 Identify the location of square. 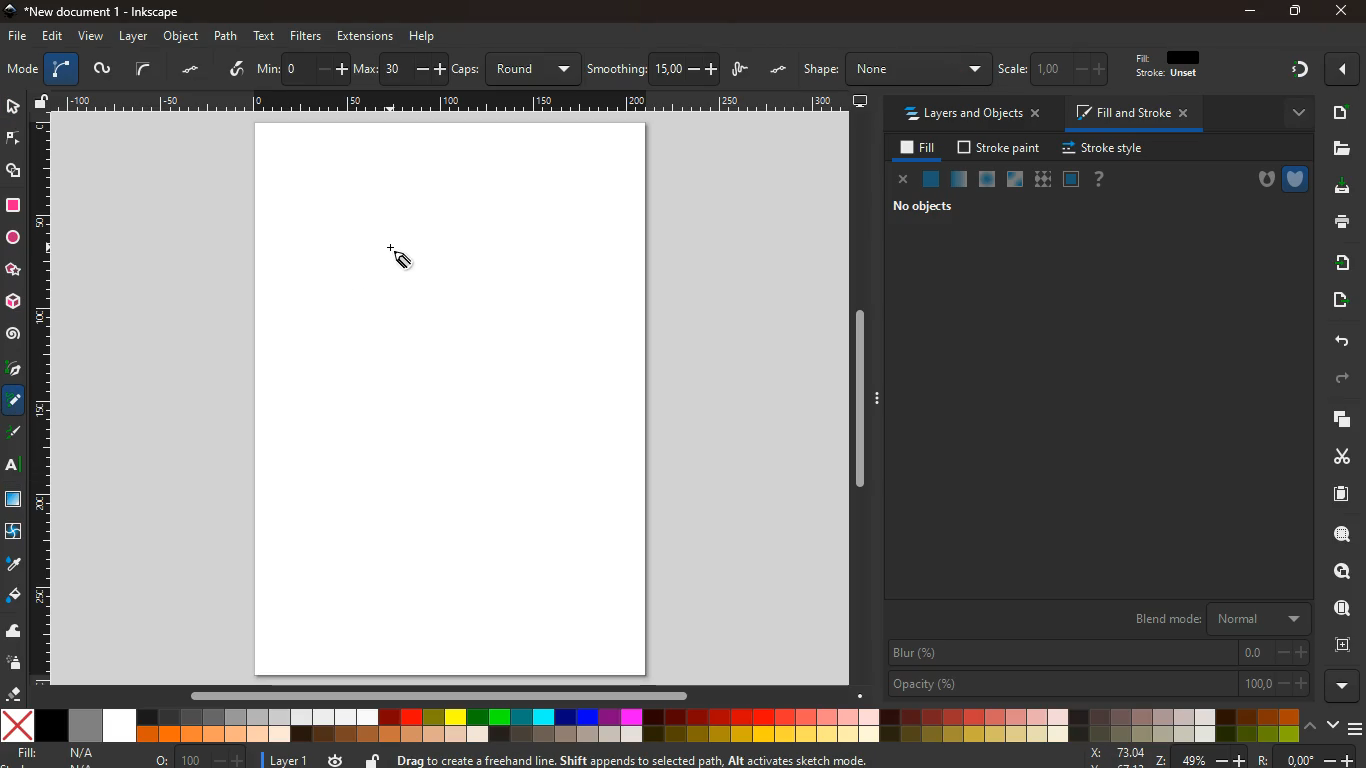
(13, 208).